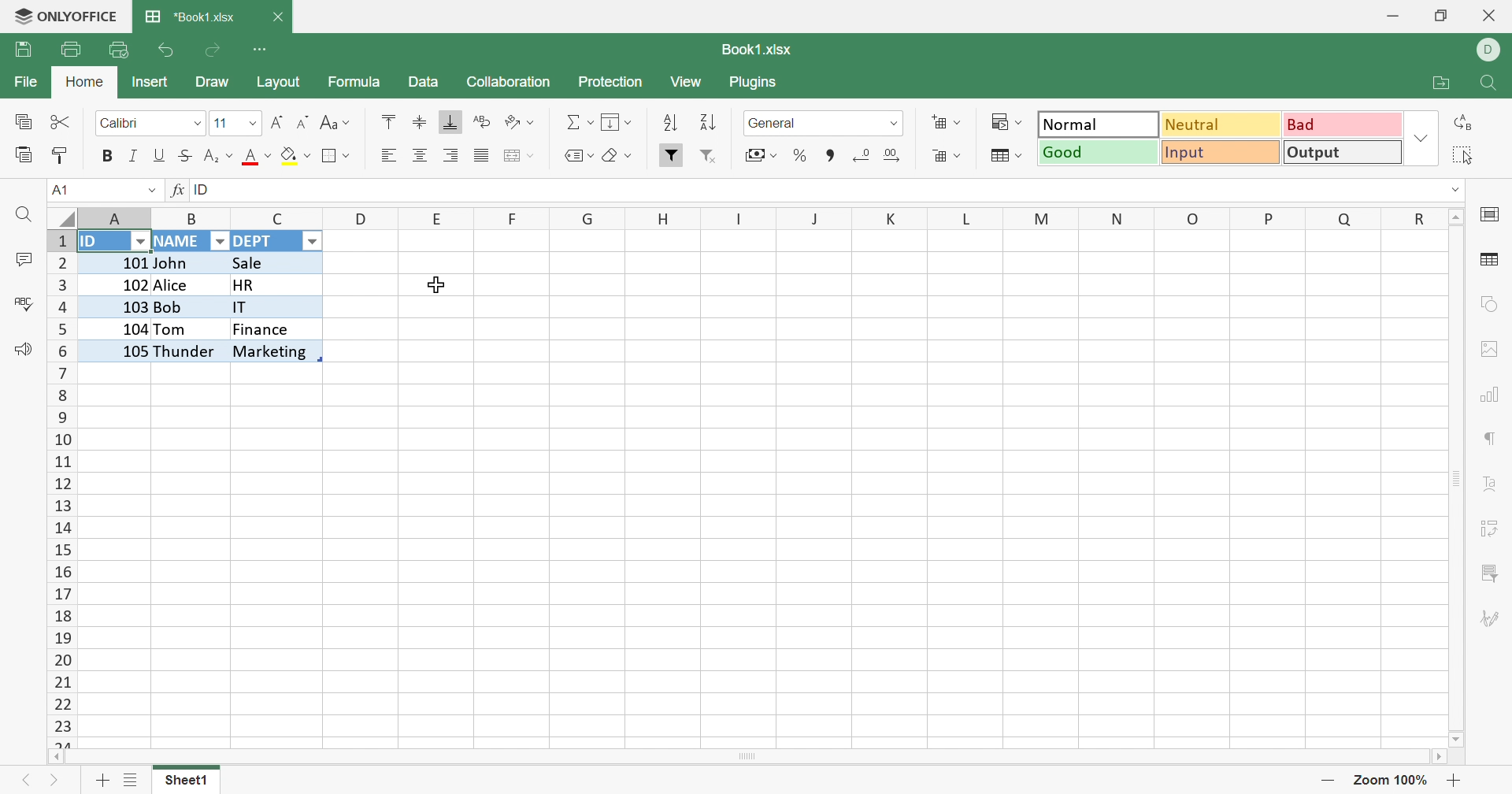  Describe the element at coordinates (72, 47) in the screenshot. I see `Print` at that location.